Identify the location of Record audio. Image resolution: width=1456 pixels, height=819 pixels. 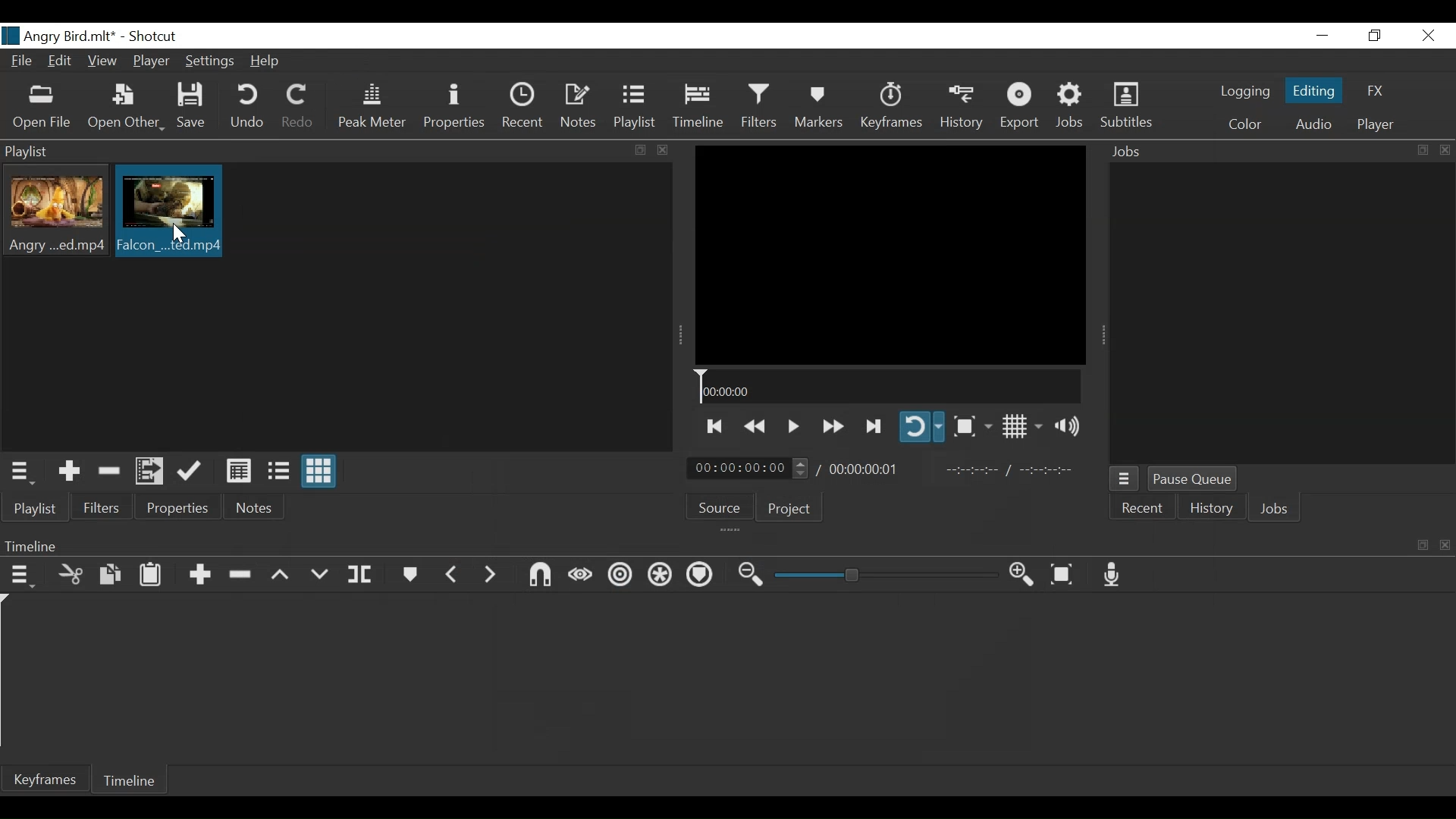
(1112, 574).